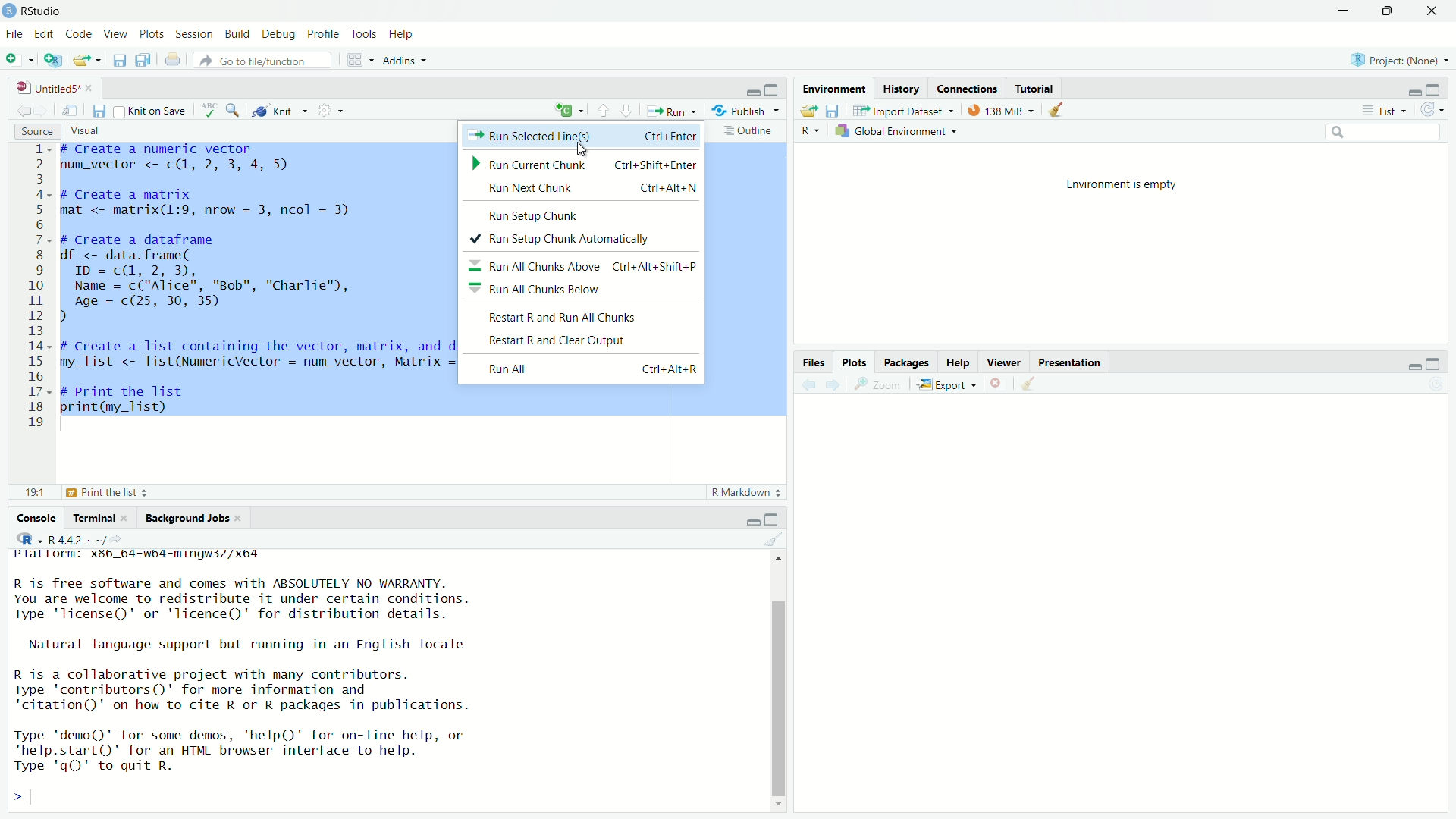 Image resolution: width=1456 pixels, height=819 pixels. What do you see at coordinates (777, 540) in the screenshot?
I see `clear` at bounding box center [777, 540].